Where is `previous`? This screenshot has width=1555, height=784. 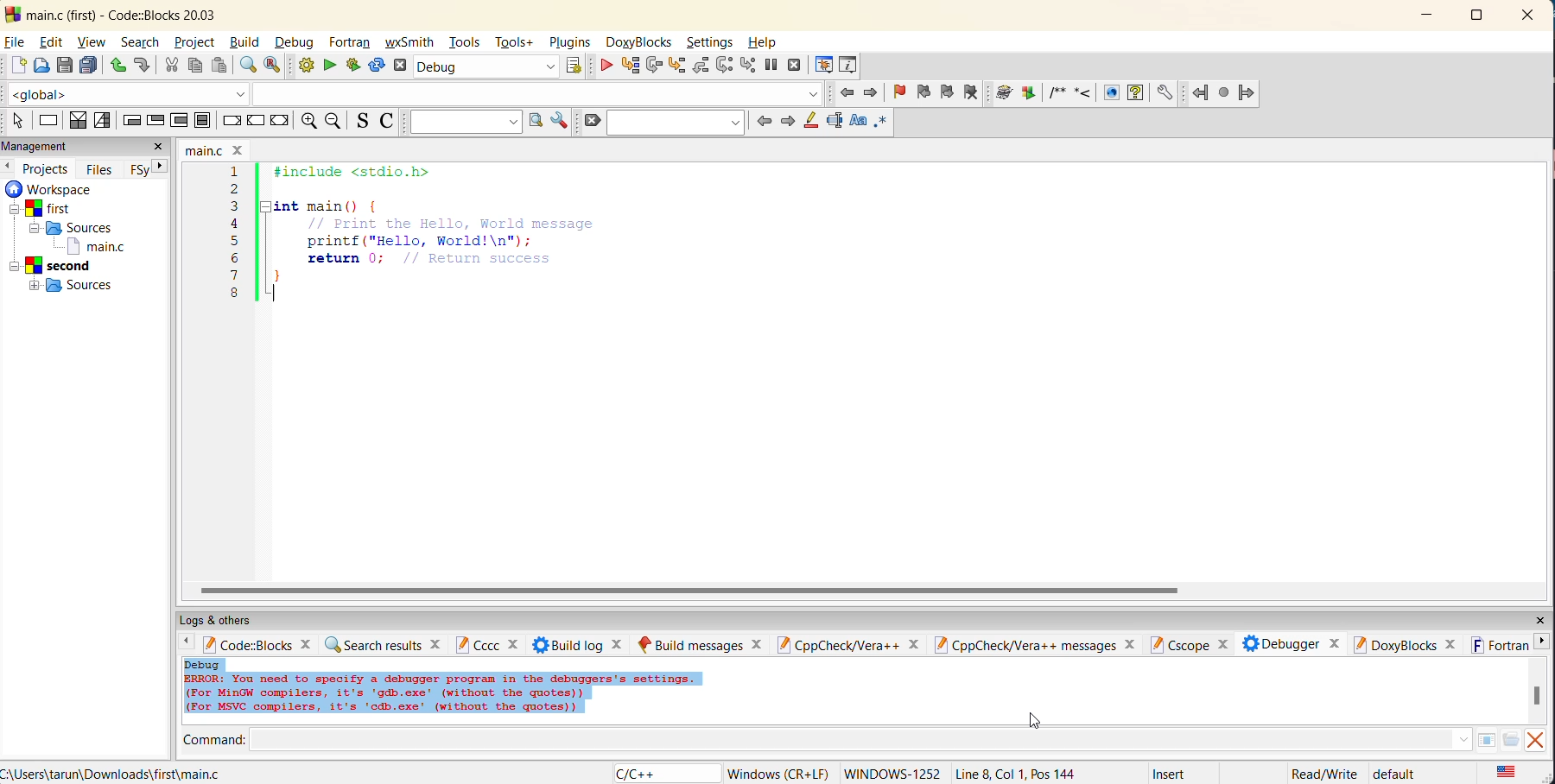 previous is located at coordinates (765, 123).